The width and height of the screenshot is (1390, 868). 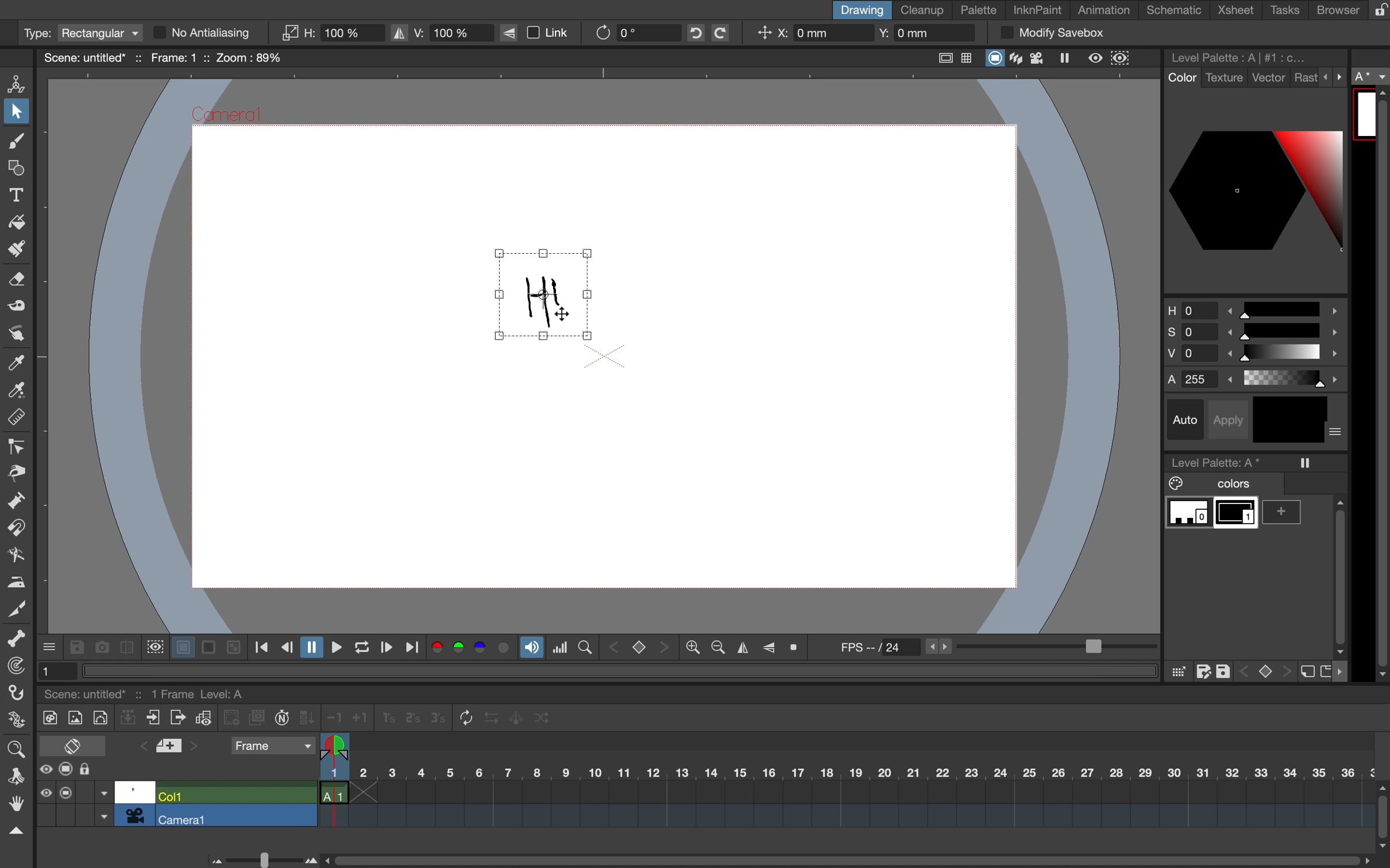 What do you see at coordinates (100, 716) in the screenshot?
I see `new vector level` at bounding box center [100, 716].